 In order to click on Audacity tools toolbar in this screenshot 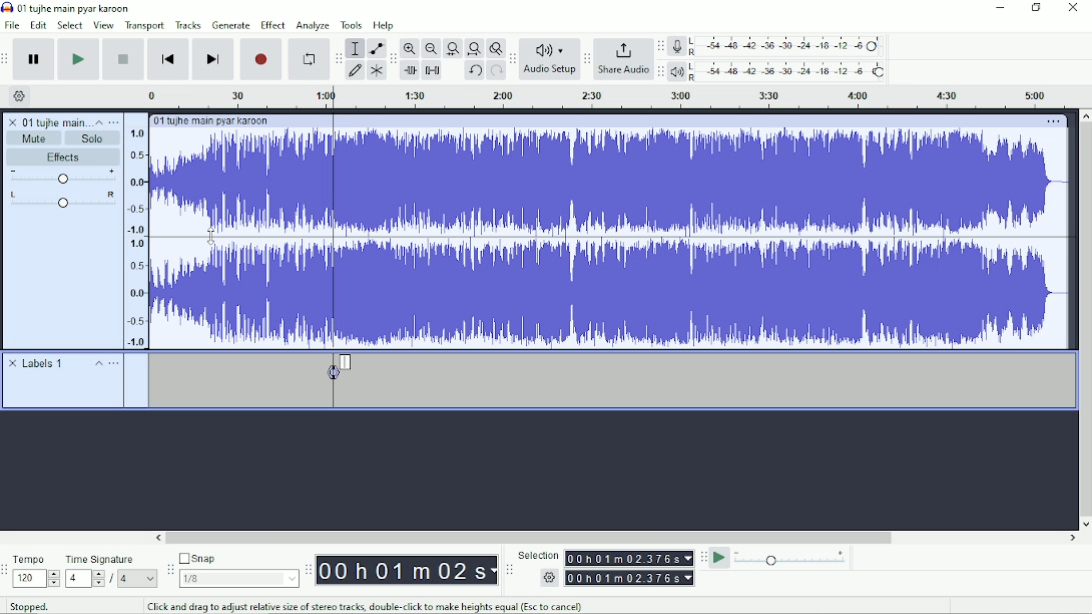, I will do `click(338, 58)`.